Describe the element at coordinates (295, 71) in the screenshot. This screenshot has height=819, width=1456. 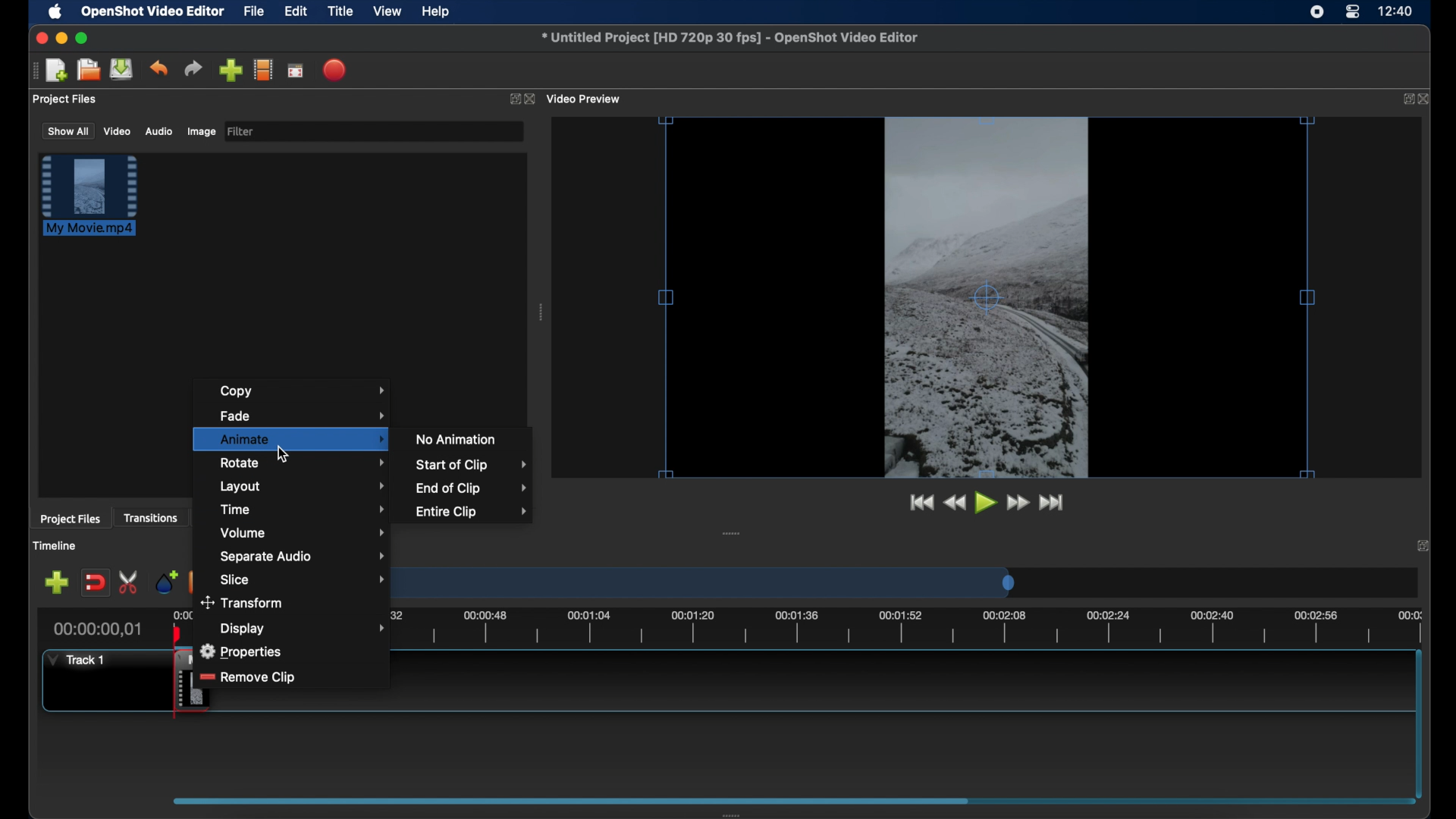
I see `full screen` at that location.